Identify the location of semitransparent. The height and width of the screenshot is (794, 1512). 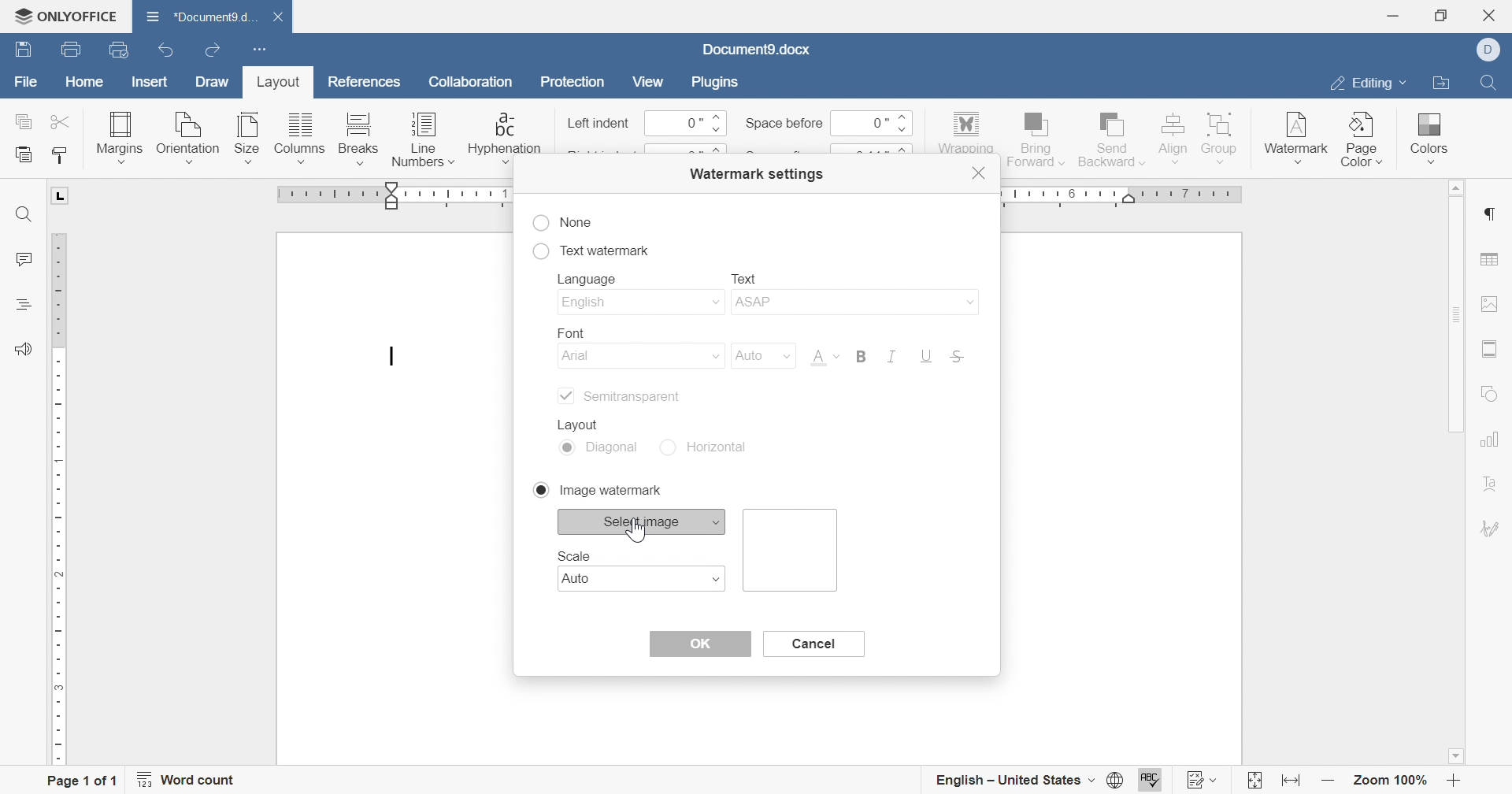
(617, 396).